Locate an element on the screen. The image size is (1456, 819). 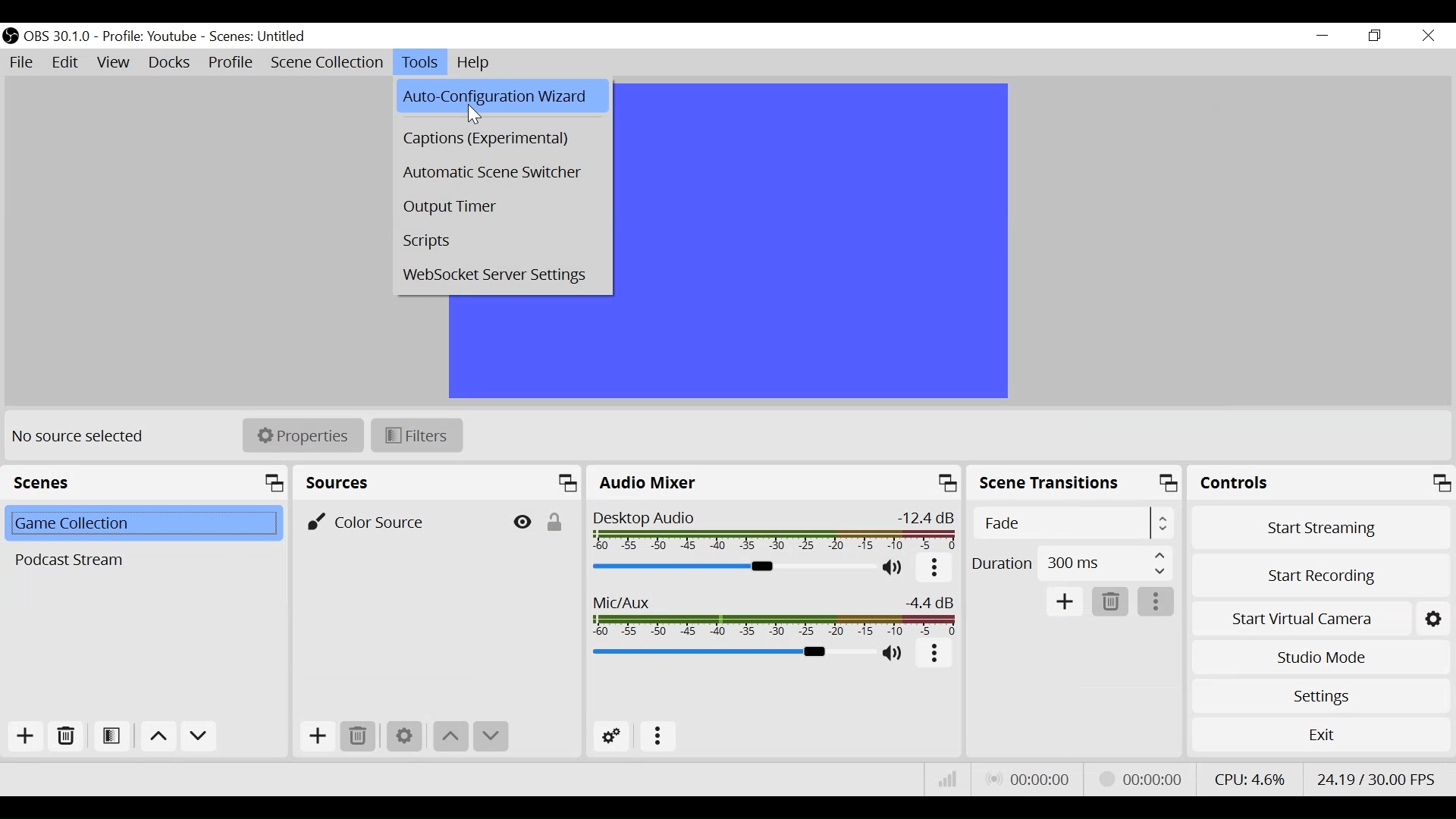
Docks is located at coordinates (171, 62).